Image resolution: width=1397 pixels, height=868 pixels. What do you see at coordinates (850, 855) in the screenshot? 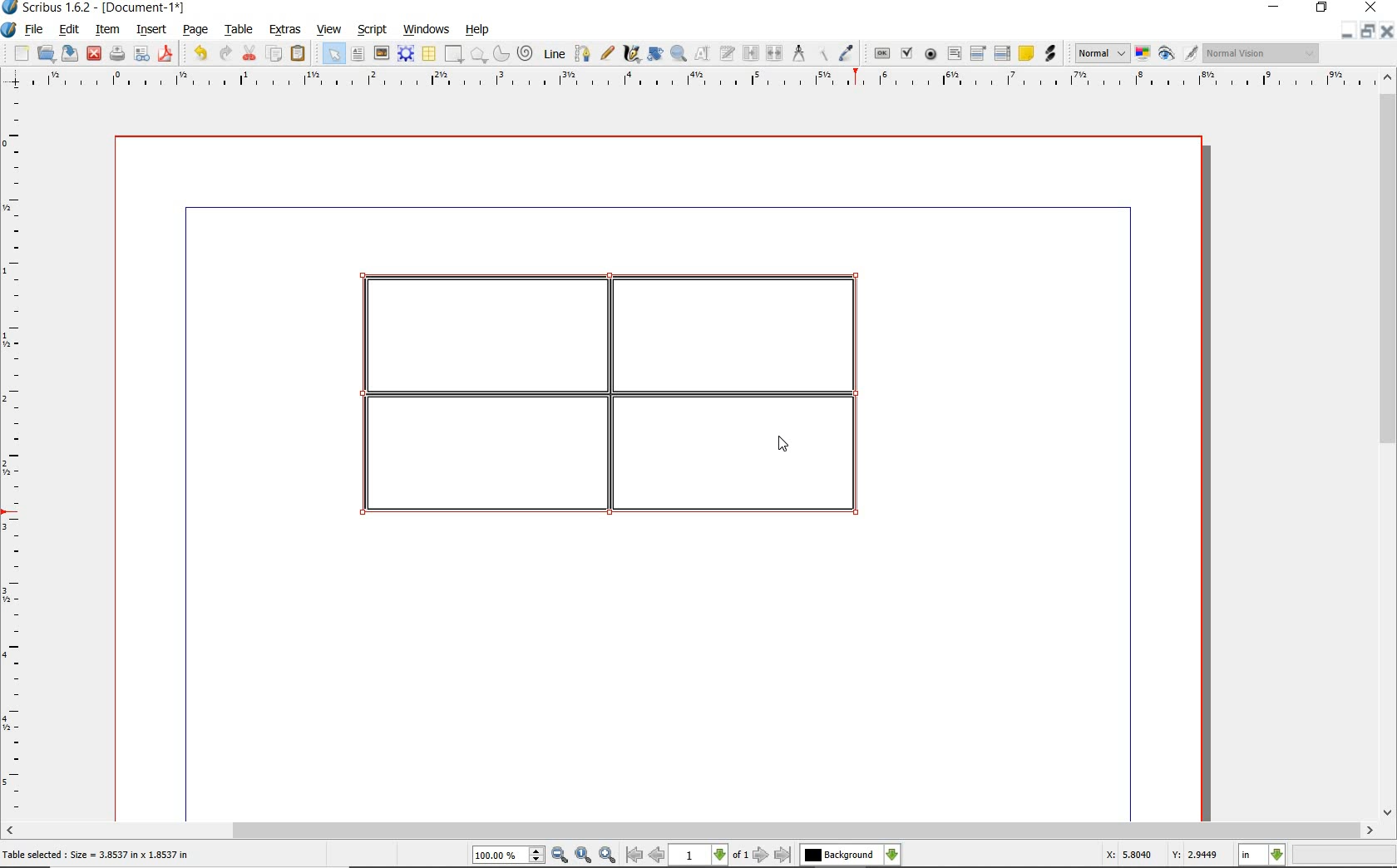
I see `select the current layer` at bounding box center [850, 855].